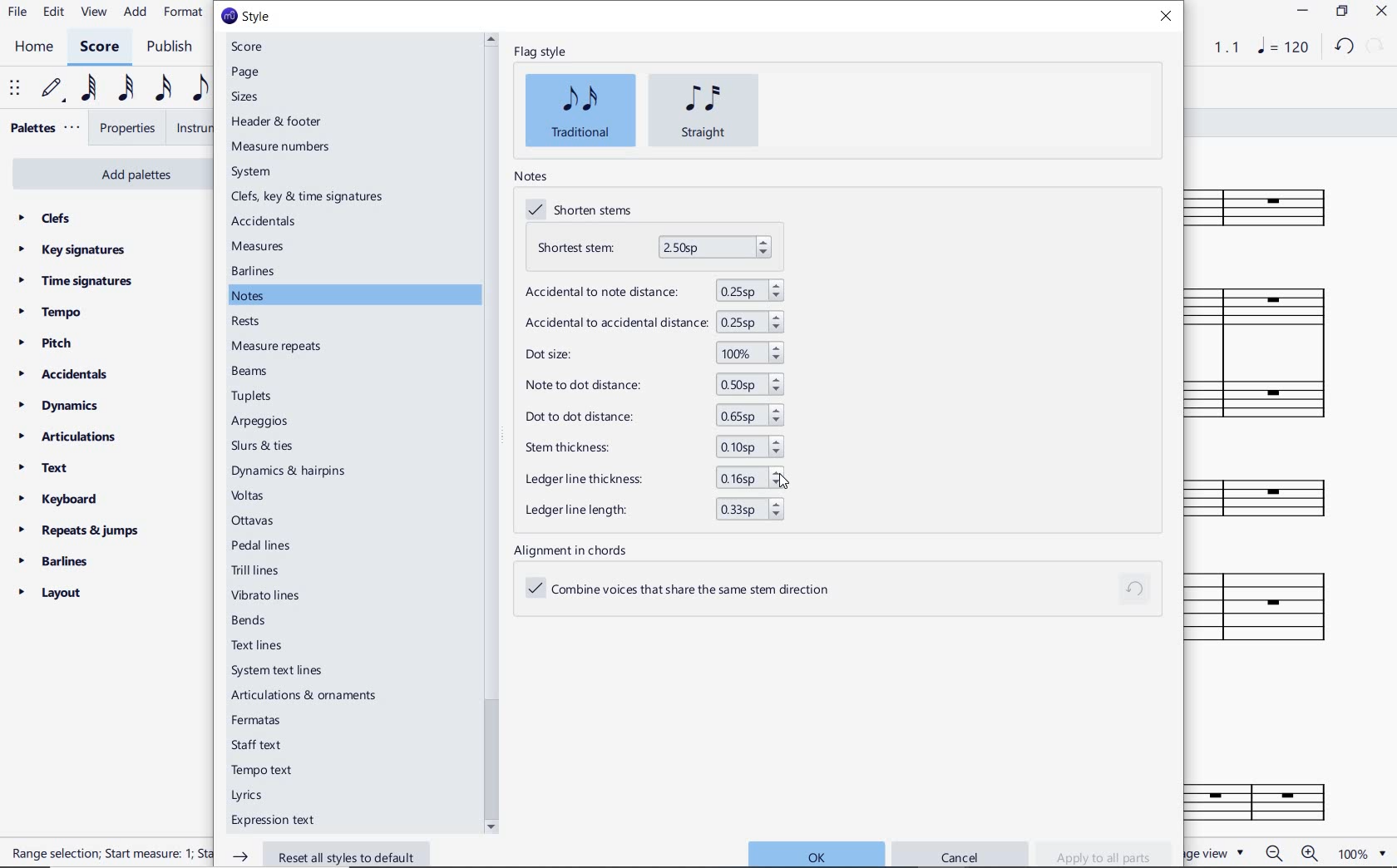 This screenshot has height=868, width=1397. Describe the element at coordinates (165, 91) in the screenshot. I see `16th note` at that location.